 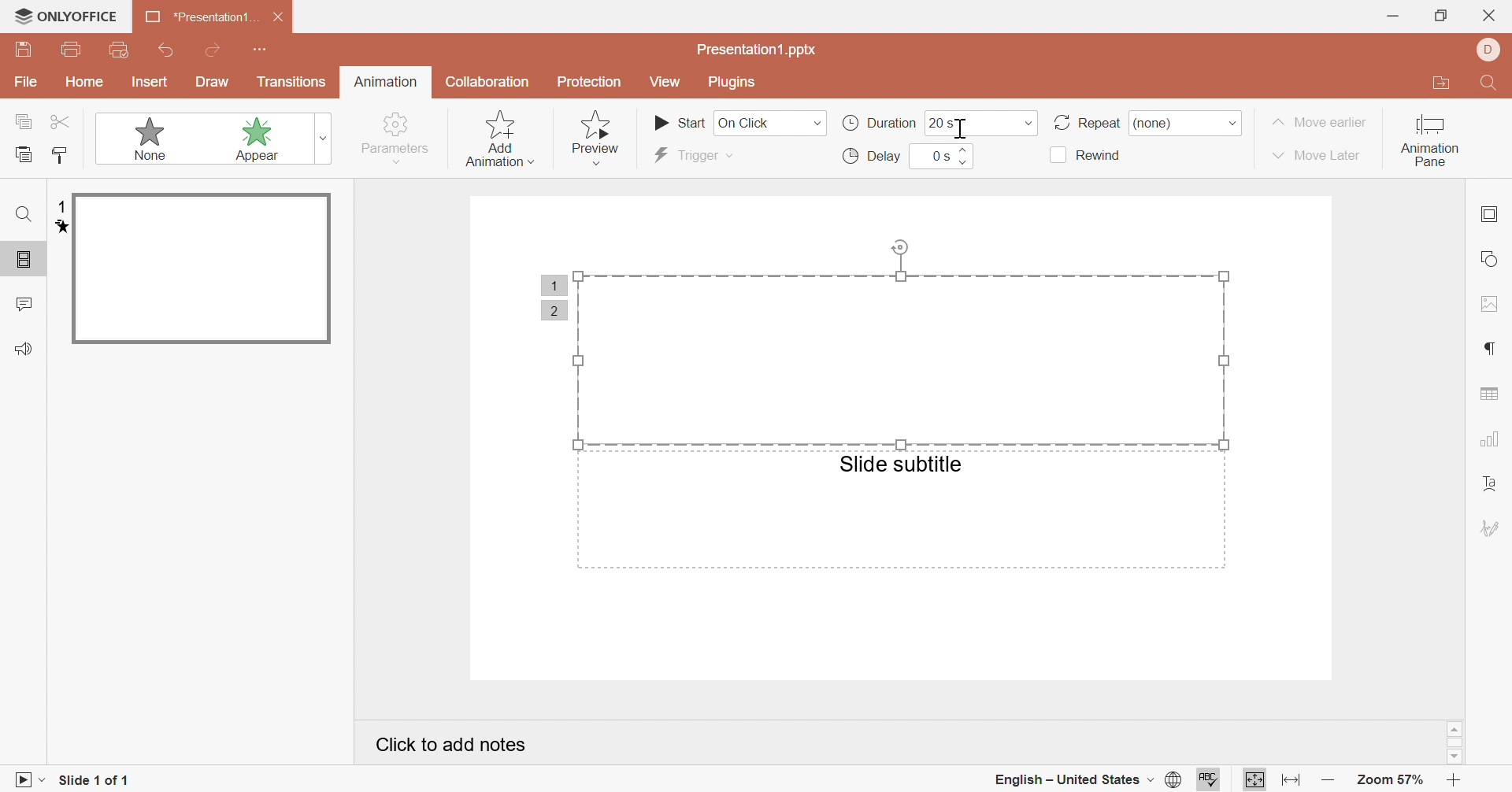 I want to click on animation, so click(x=386, y=80).